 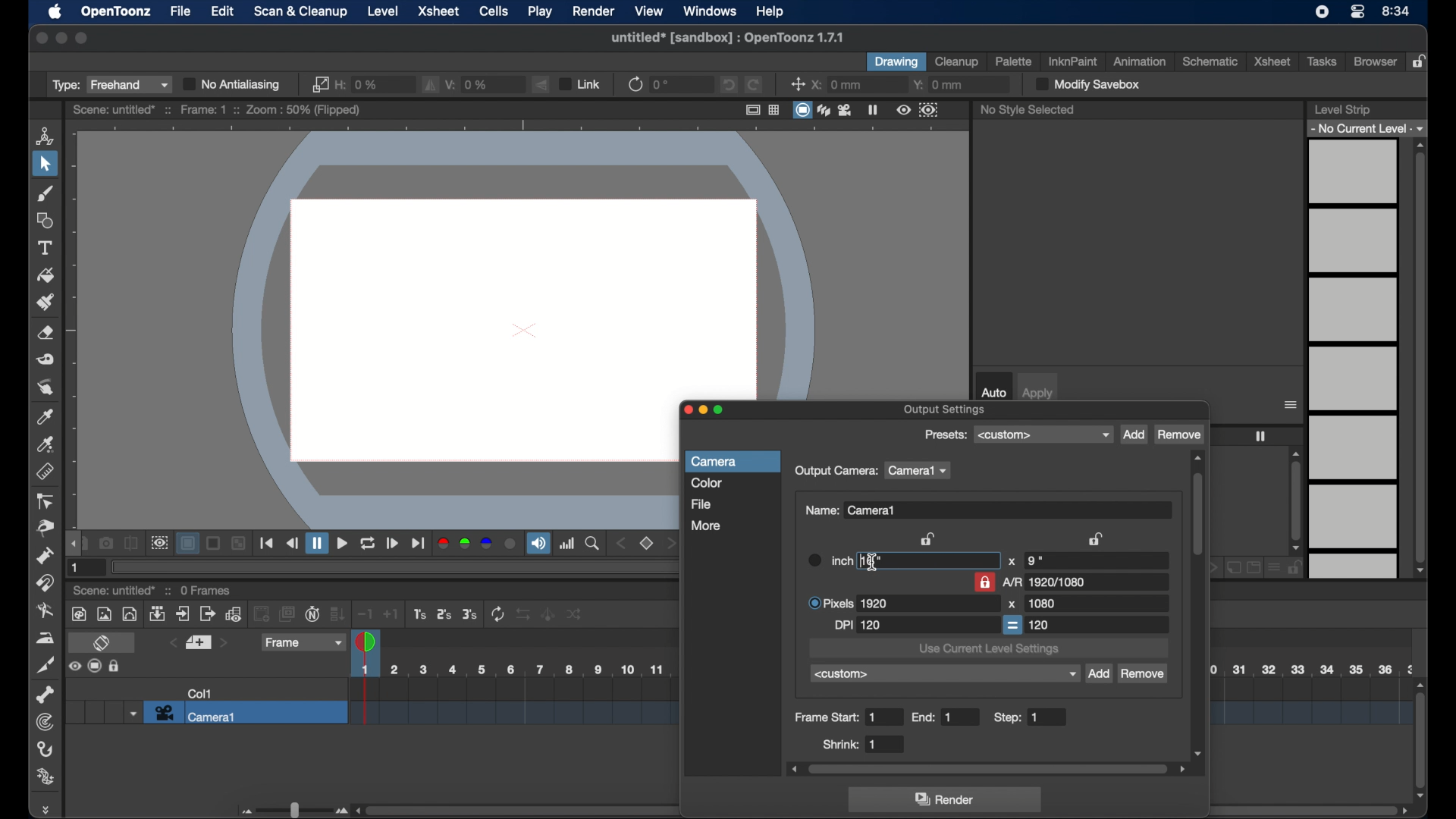 I want to click on auto, so click(x=993, y=392).